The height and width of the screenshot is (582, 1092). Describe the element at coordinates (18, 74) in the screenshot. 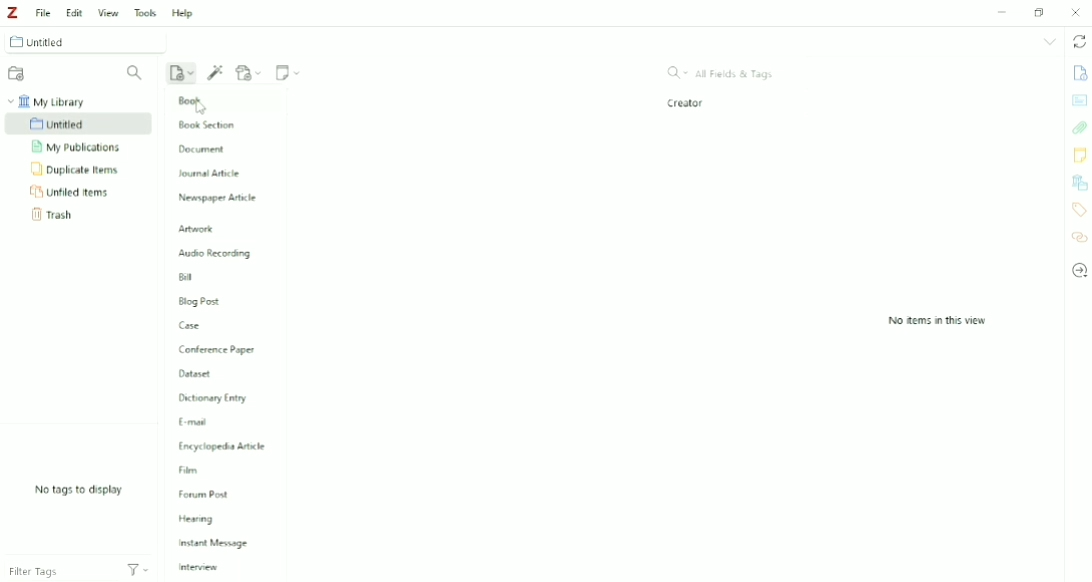

I see `New Collection` at that location.